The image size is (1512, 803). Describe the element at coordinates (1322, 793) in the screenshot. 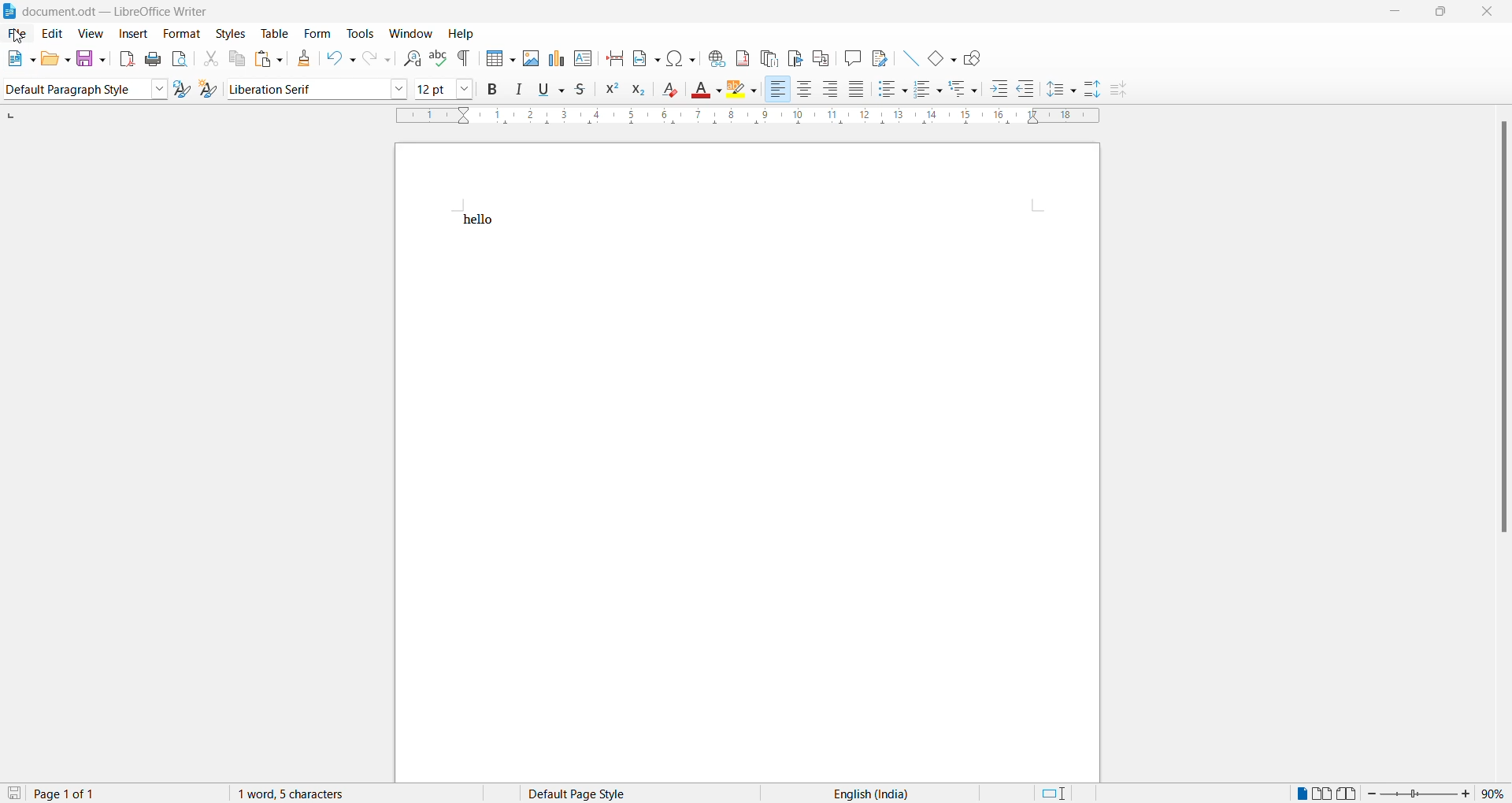

I see `Multipage view` at that location.